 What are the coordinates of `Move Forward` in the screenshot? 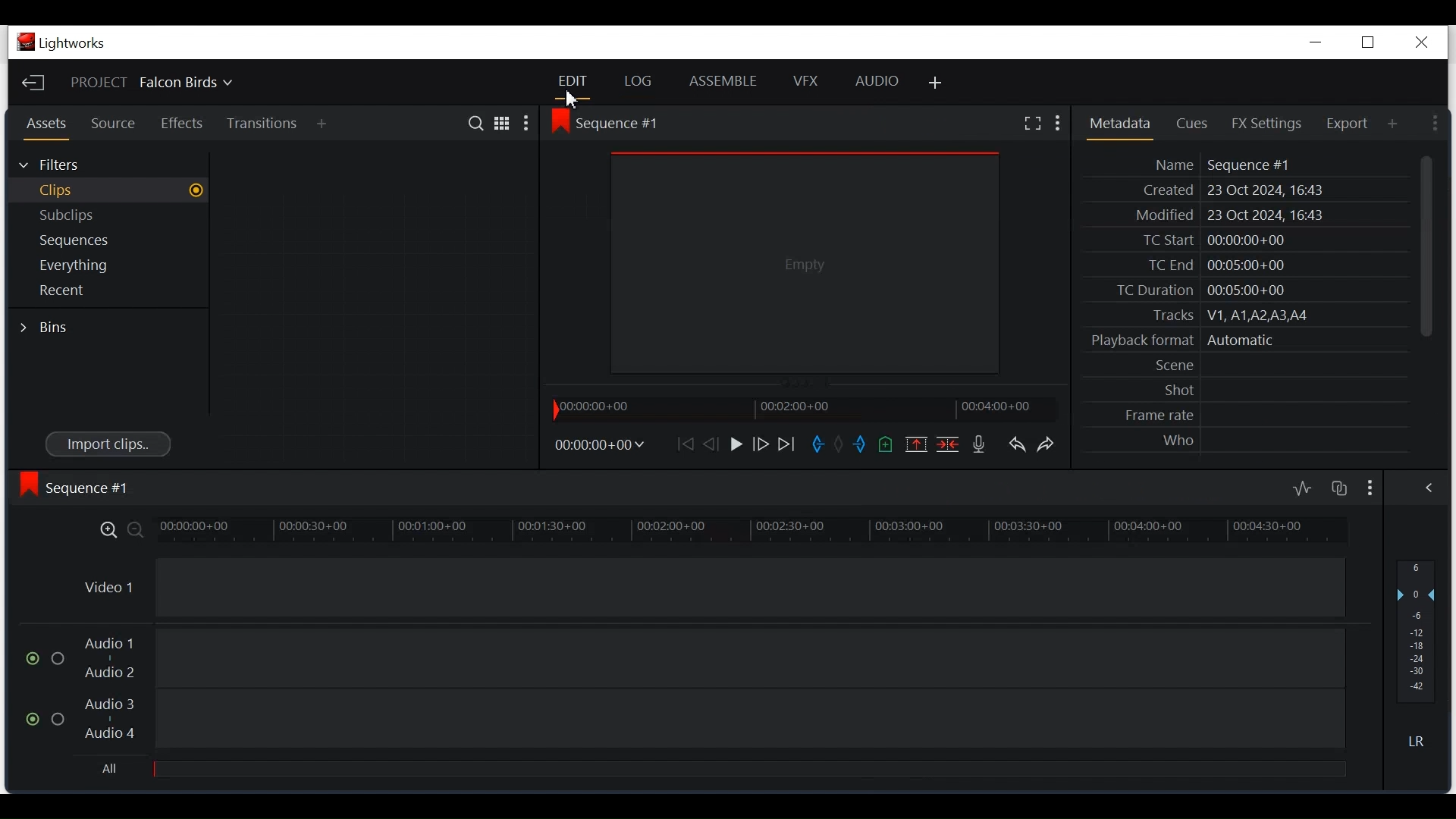 It's located at (681, 444).